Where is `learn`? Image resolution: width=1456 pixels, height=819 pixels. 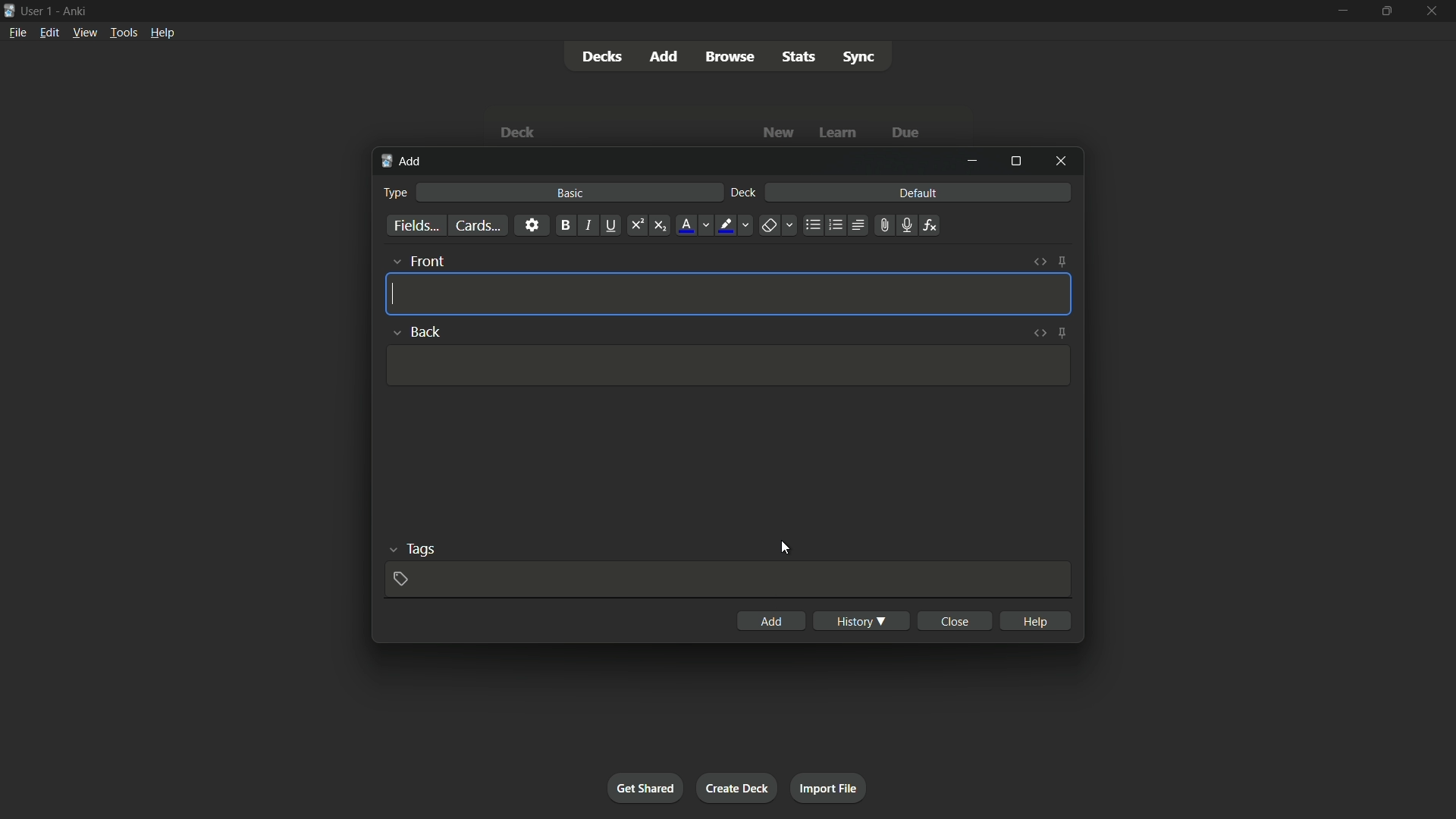 learn is located at coordinates (839, 132).